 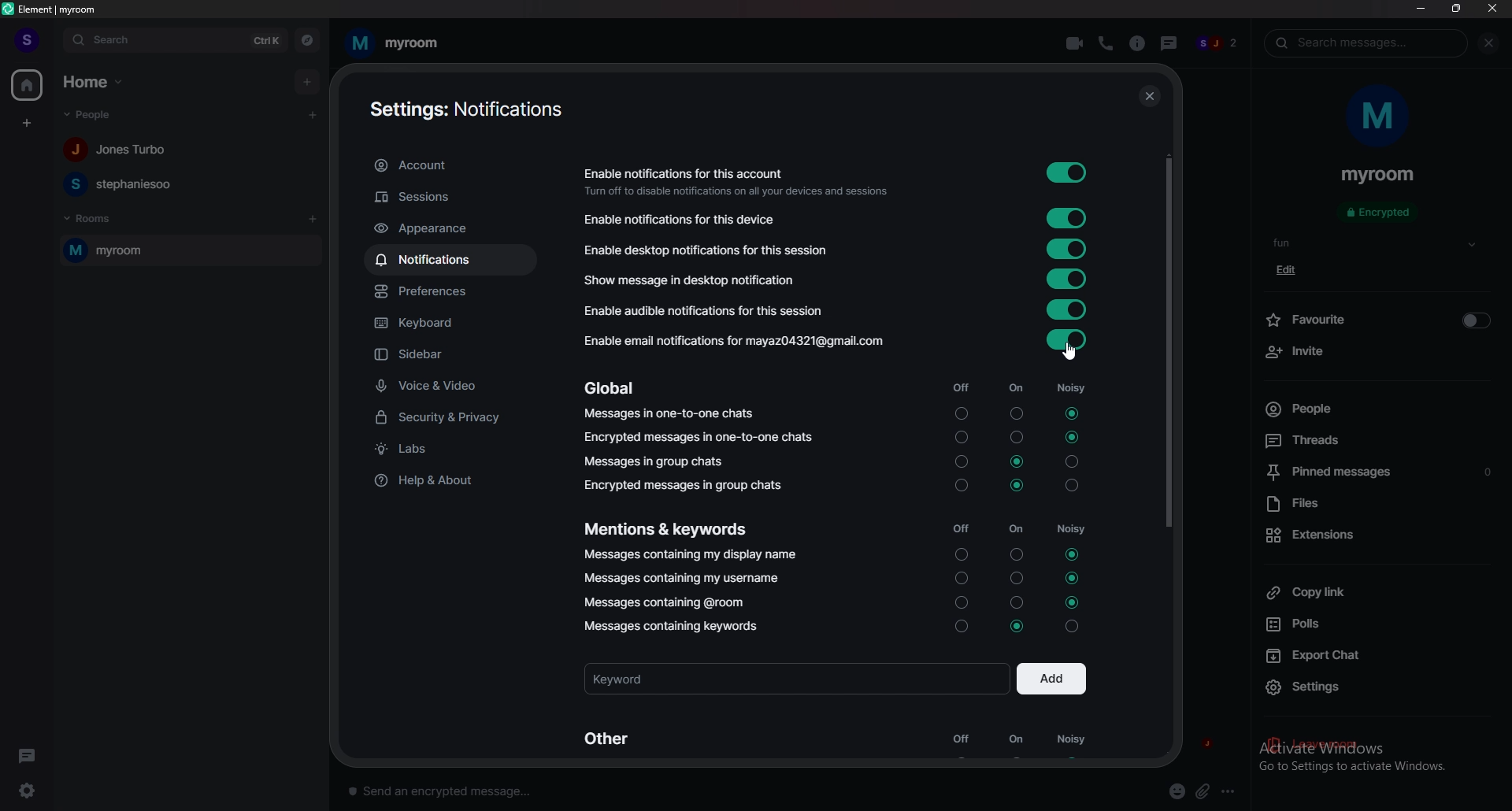 What do you see at coordinates (673, 626) in the screenshot?
I see `messages containing keyword` at bounding box center [673, 626].